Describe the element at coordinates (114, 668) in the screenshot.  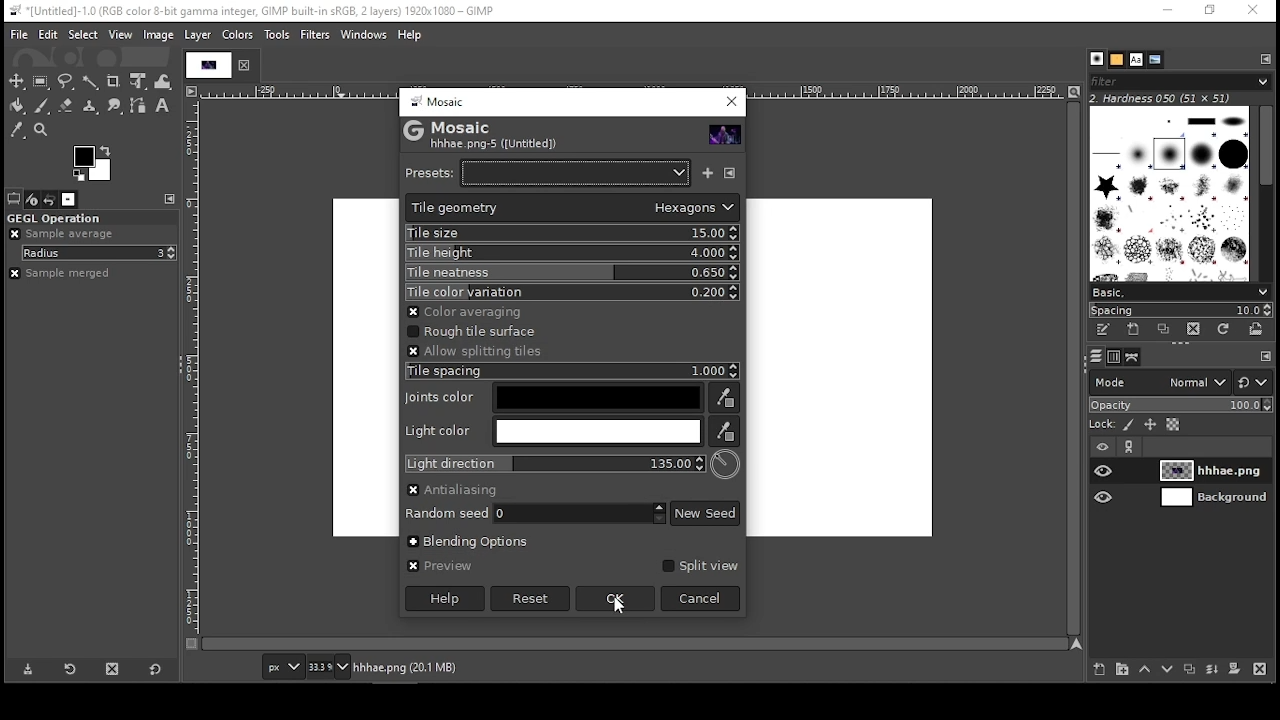
I see `delete tool preset` at that location.